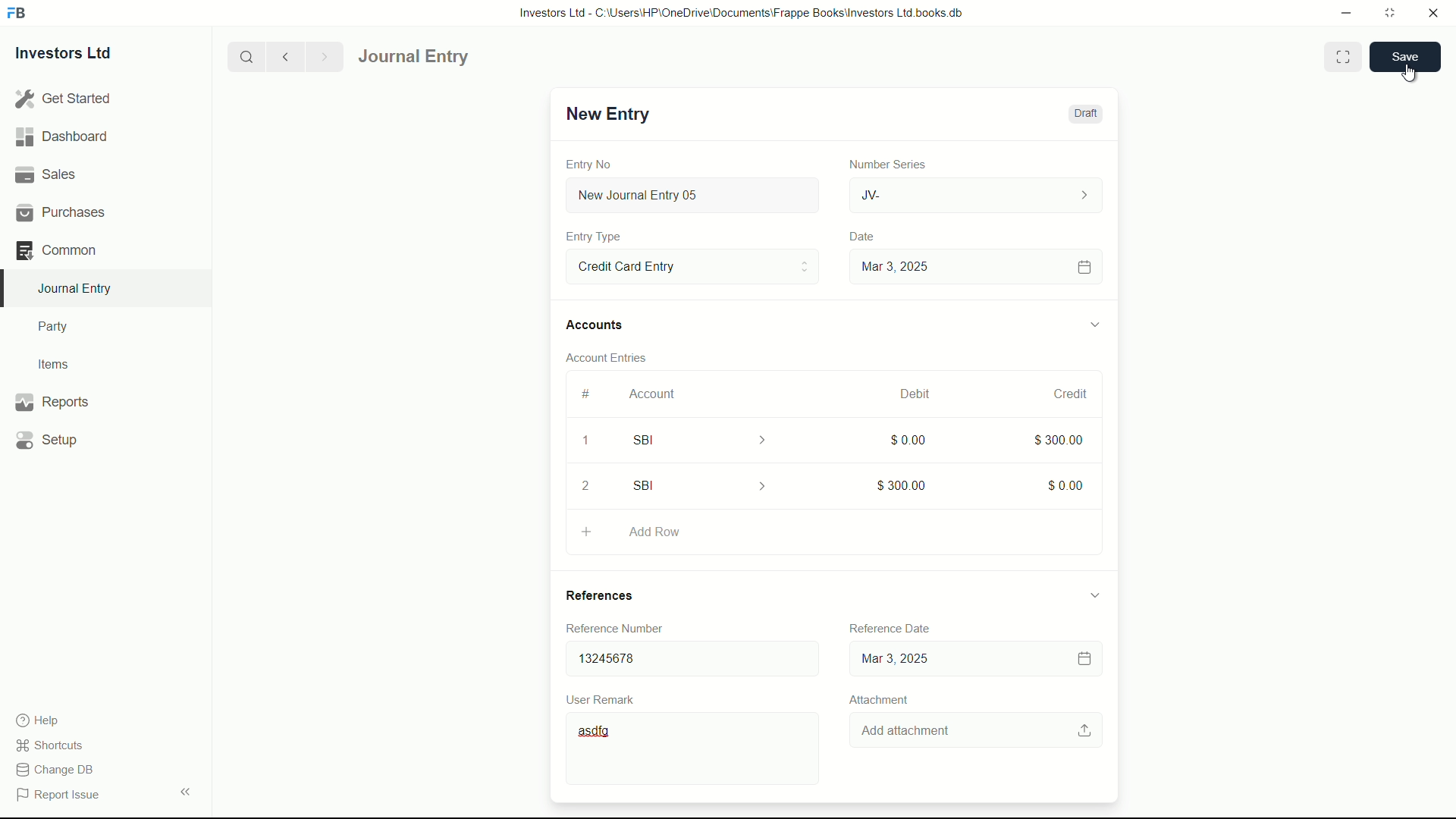  I want to click on Number Series, so click(881, 163).